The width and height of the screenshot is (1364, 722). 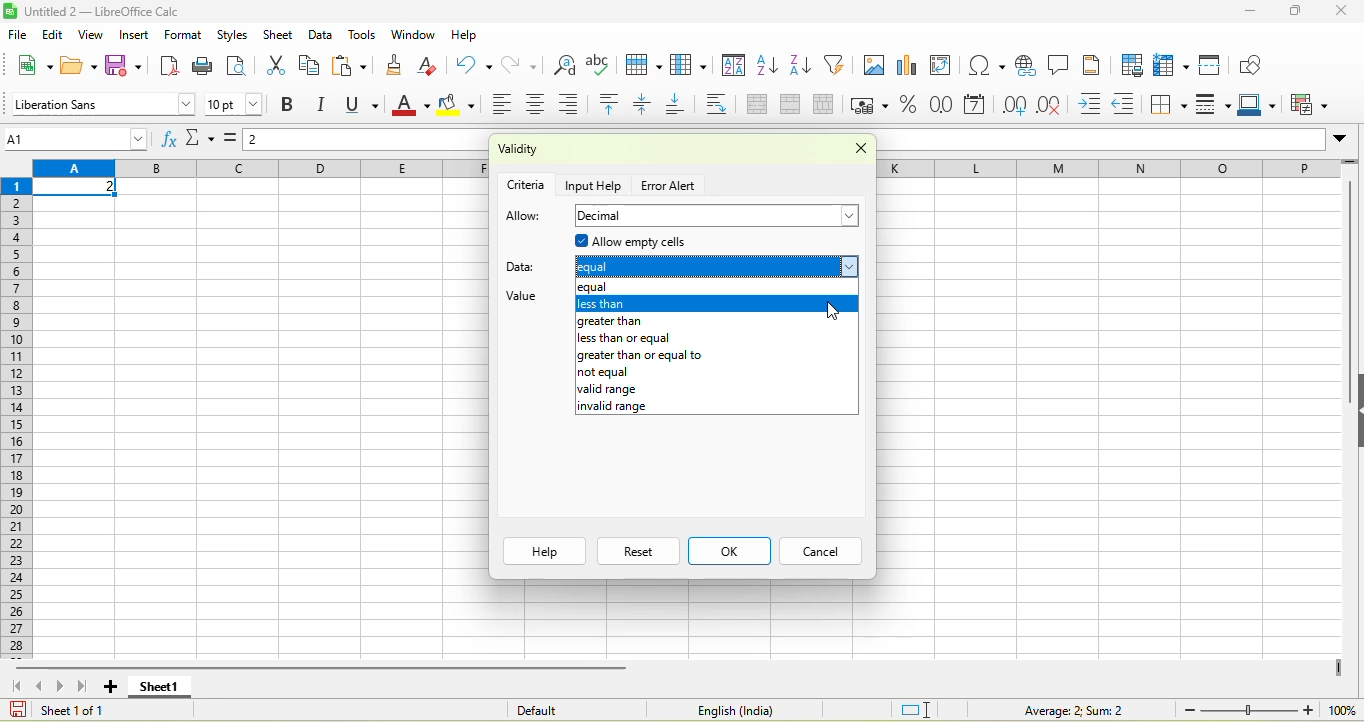 I want to click on error alert, so click(x=671, y=186).